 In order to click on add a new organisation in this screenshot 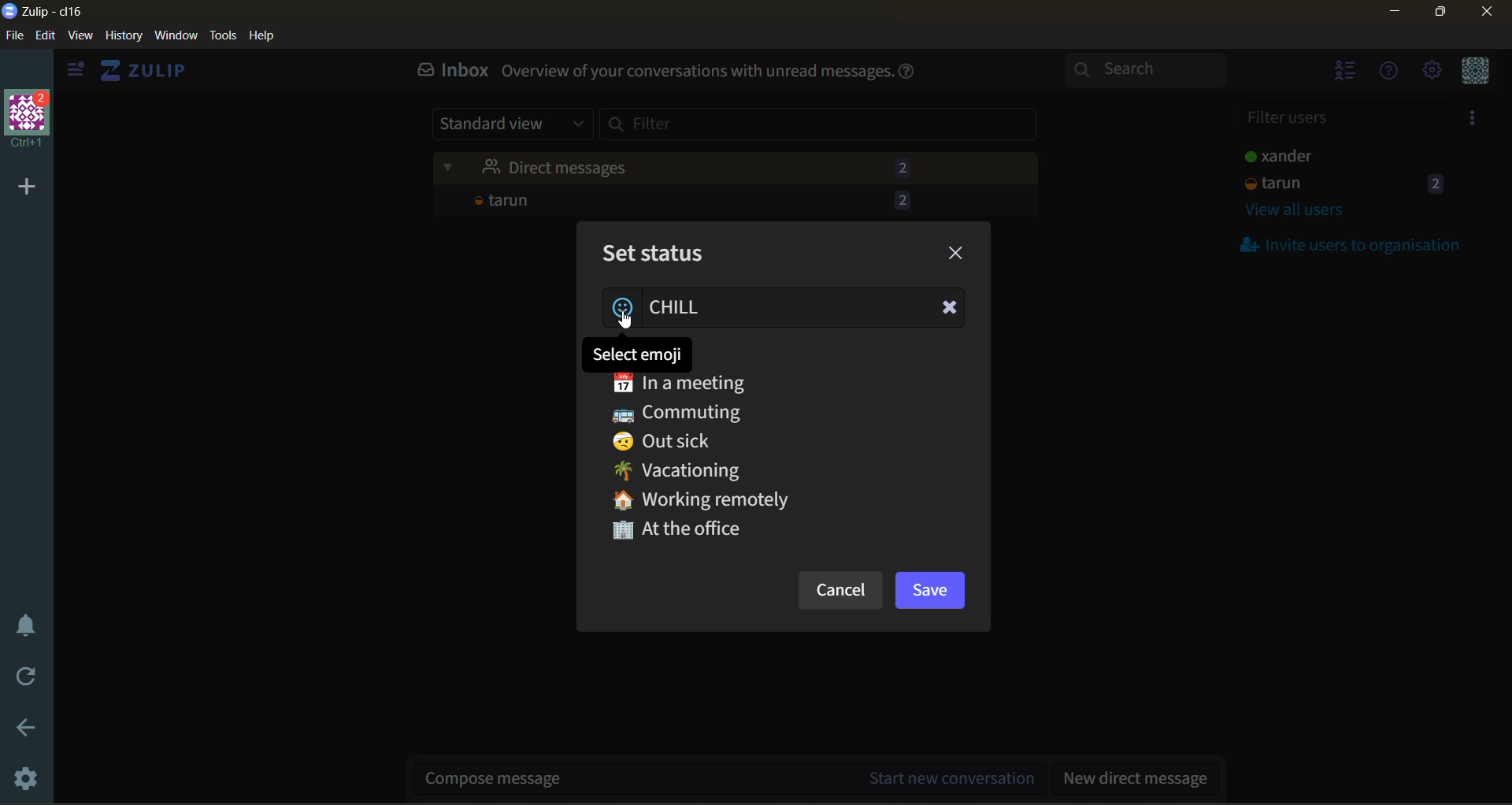, I will do `click(25, 184)`.